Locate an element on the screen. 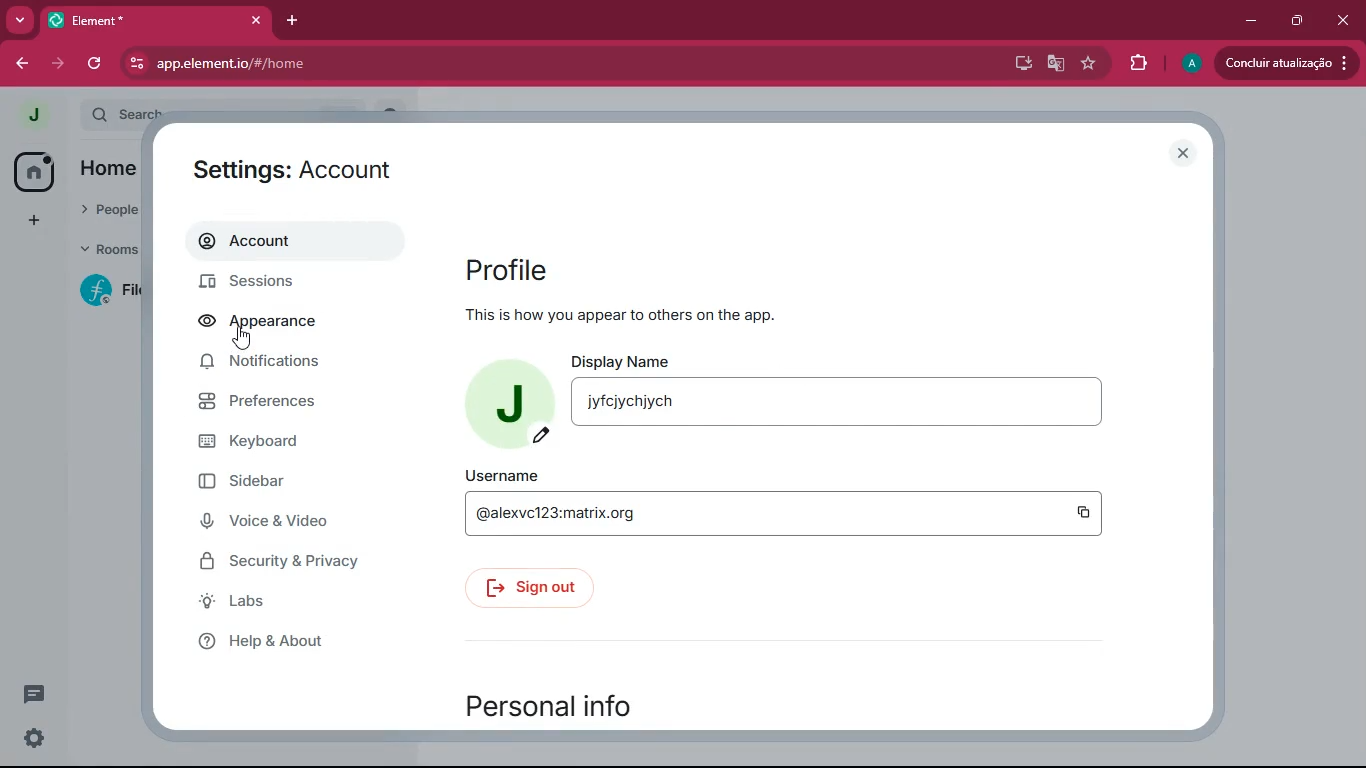  search is located at coordinates (127, 114).